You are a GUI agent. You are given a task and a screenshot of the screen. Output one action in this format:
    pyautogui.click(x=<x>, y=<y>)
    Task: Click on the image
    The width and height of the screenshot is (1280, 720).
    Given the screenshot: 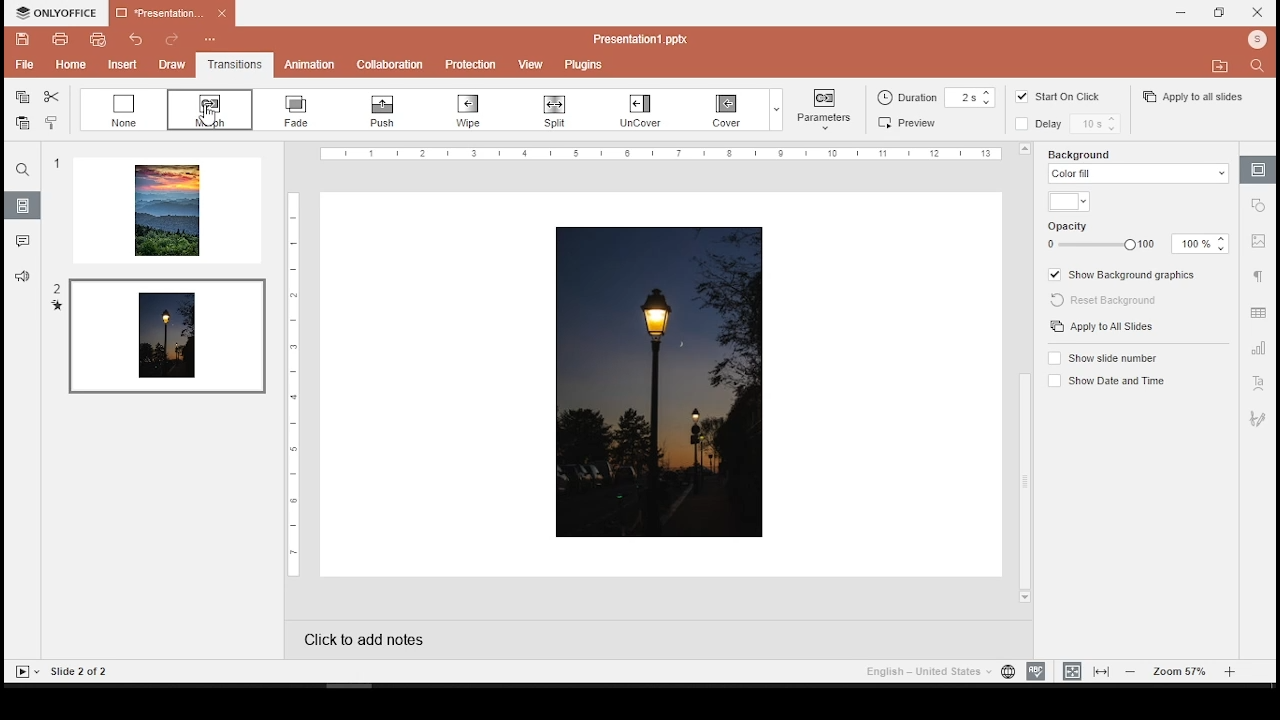 What is the action you would take?
    pyautogui.click(x=662, y=383)
    